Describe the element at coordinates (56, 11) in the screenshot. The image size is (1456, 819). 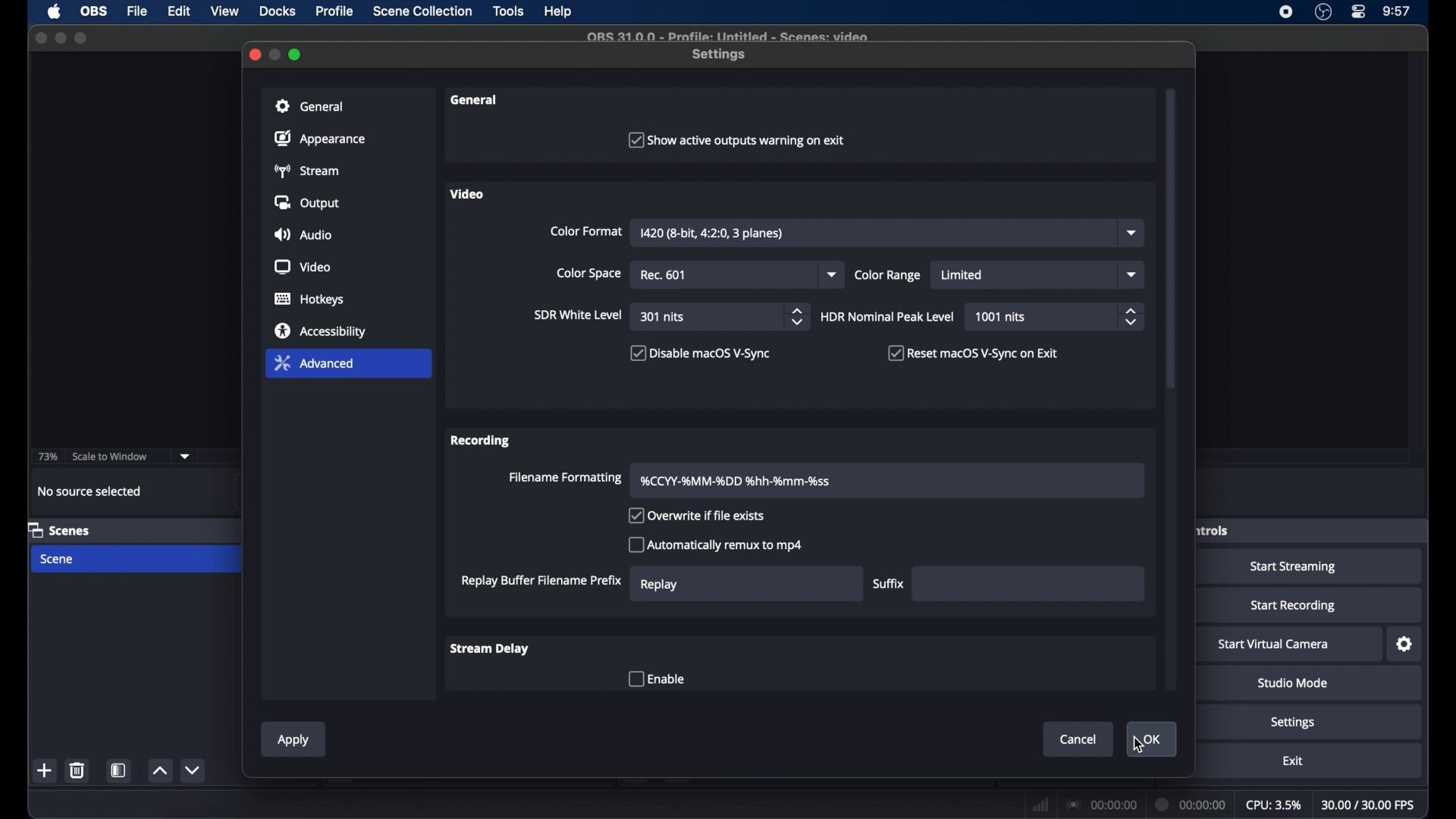
I see `apple icon` at that location.